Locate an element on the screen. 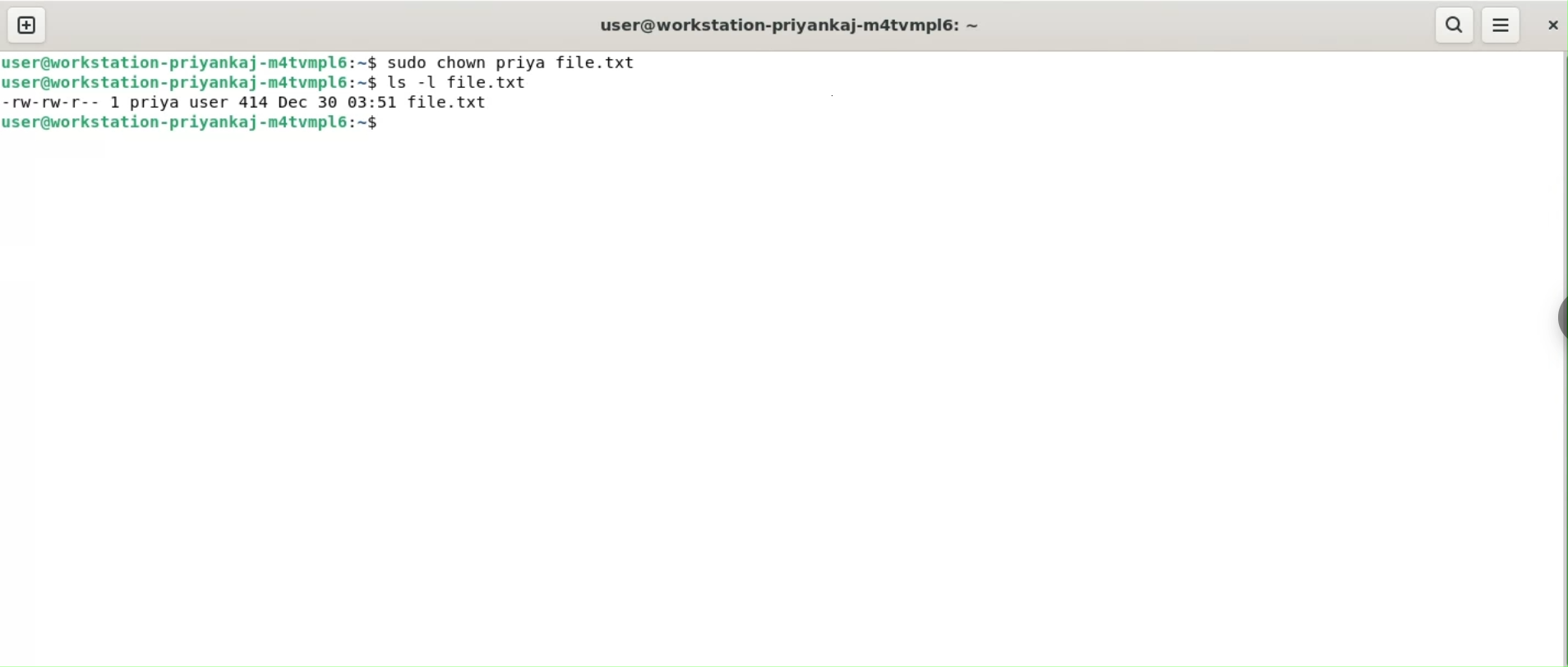 The image size is (1568, 667). user@workstation-priyankaj-m4tvmlp6:~ is located at coordinates (787, 25).